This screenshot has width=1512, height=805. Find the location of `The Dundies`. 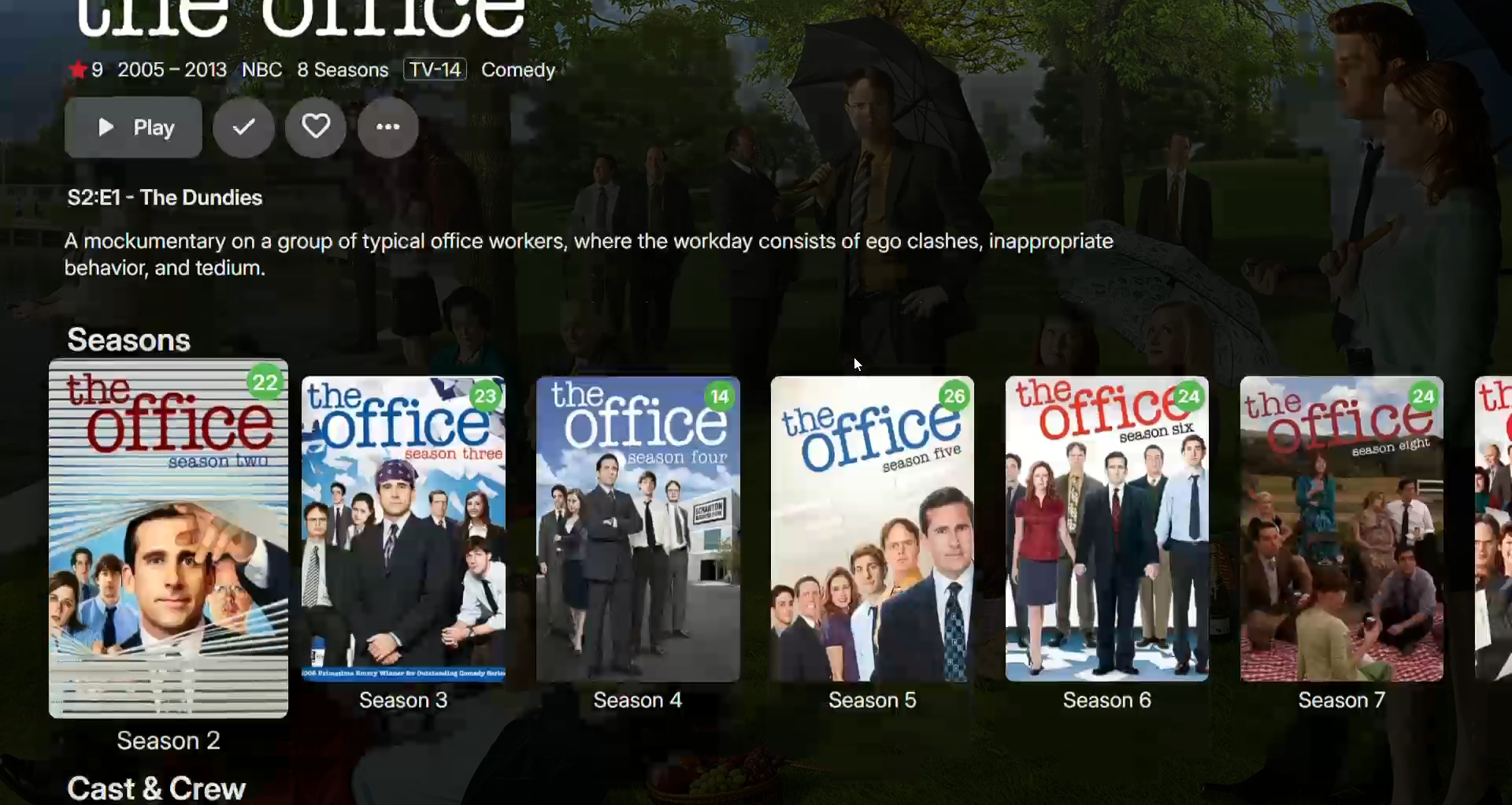

The Dundies is located at coordinates (167, 204).